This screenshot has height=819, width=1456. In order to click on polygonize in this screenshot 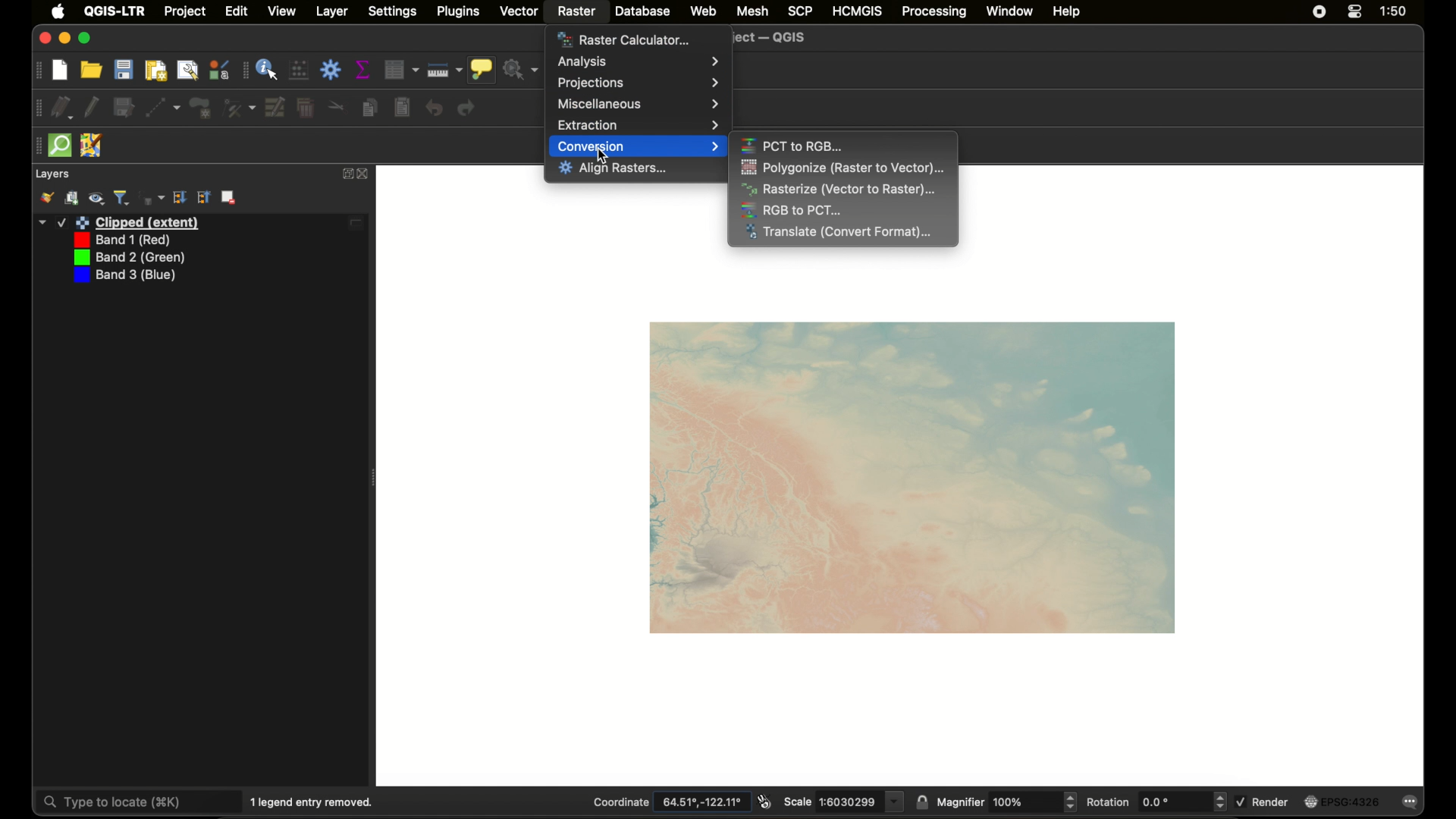, I will do `click(843, 168)`.